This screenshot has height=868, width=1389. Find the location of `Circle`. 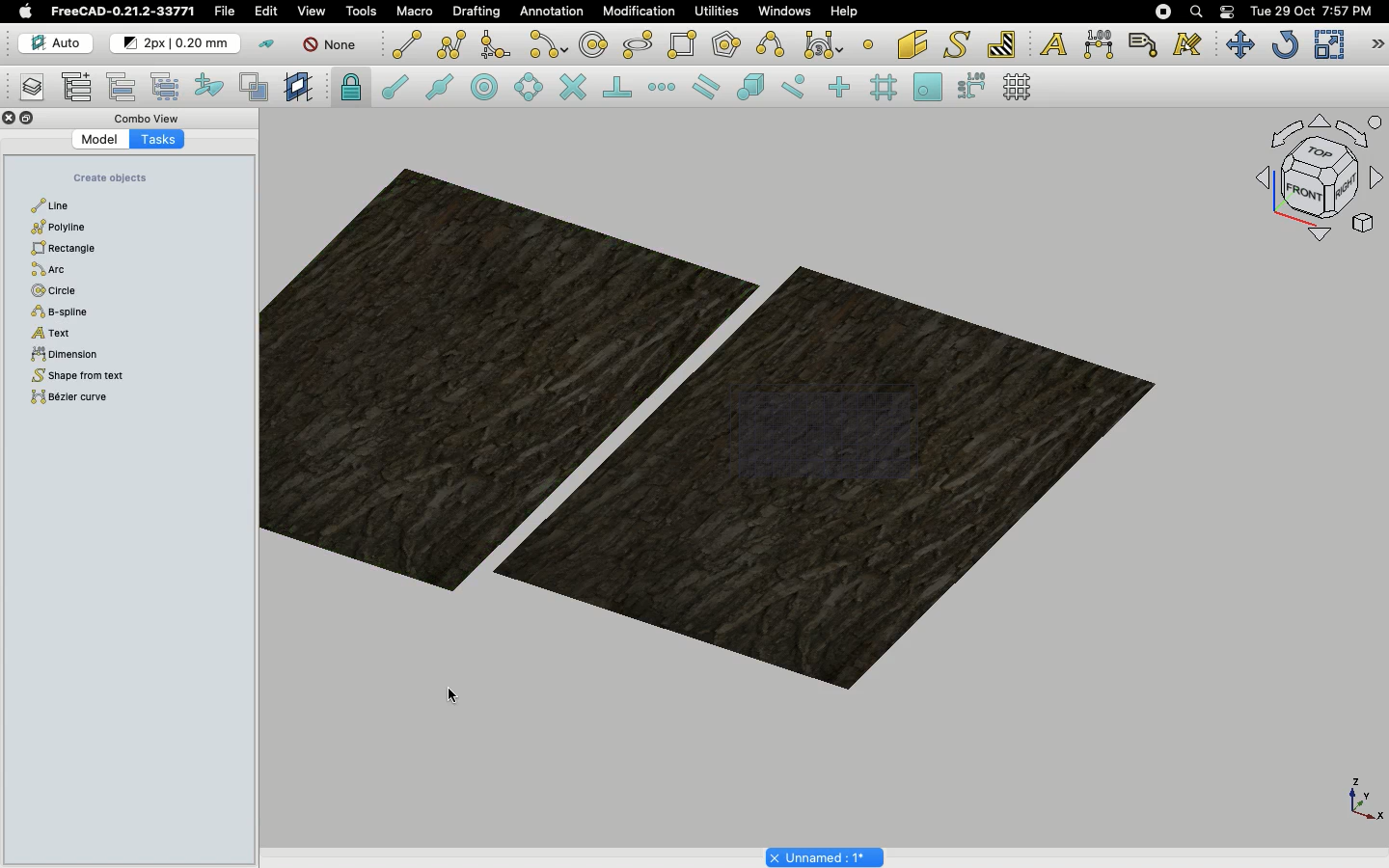

Circle is located at coordinates (594, 47).